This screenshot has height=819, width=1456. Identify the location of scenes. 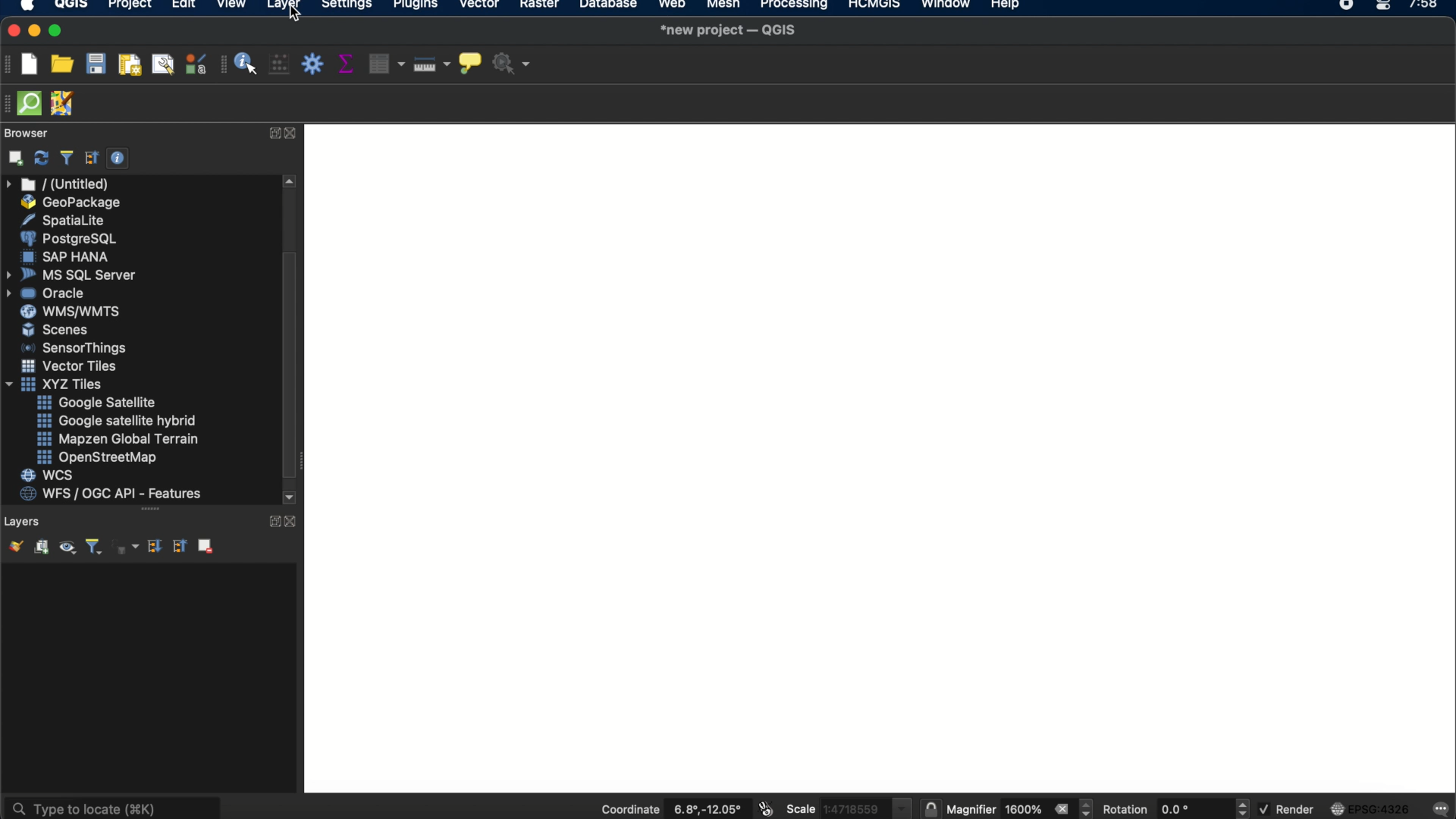
(56, 329).